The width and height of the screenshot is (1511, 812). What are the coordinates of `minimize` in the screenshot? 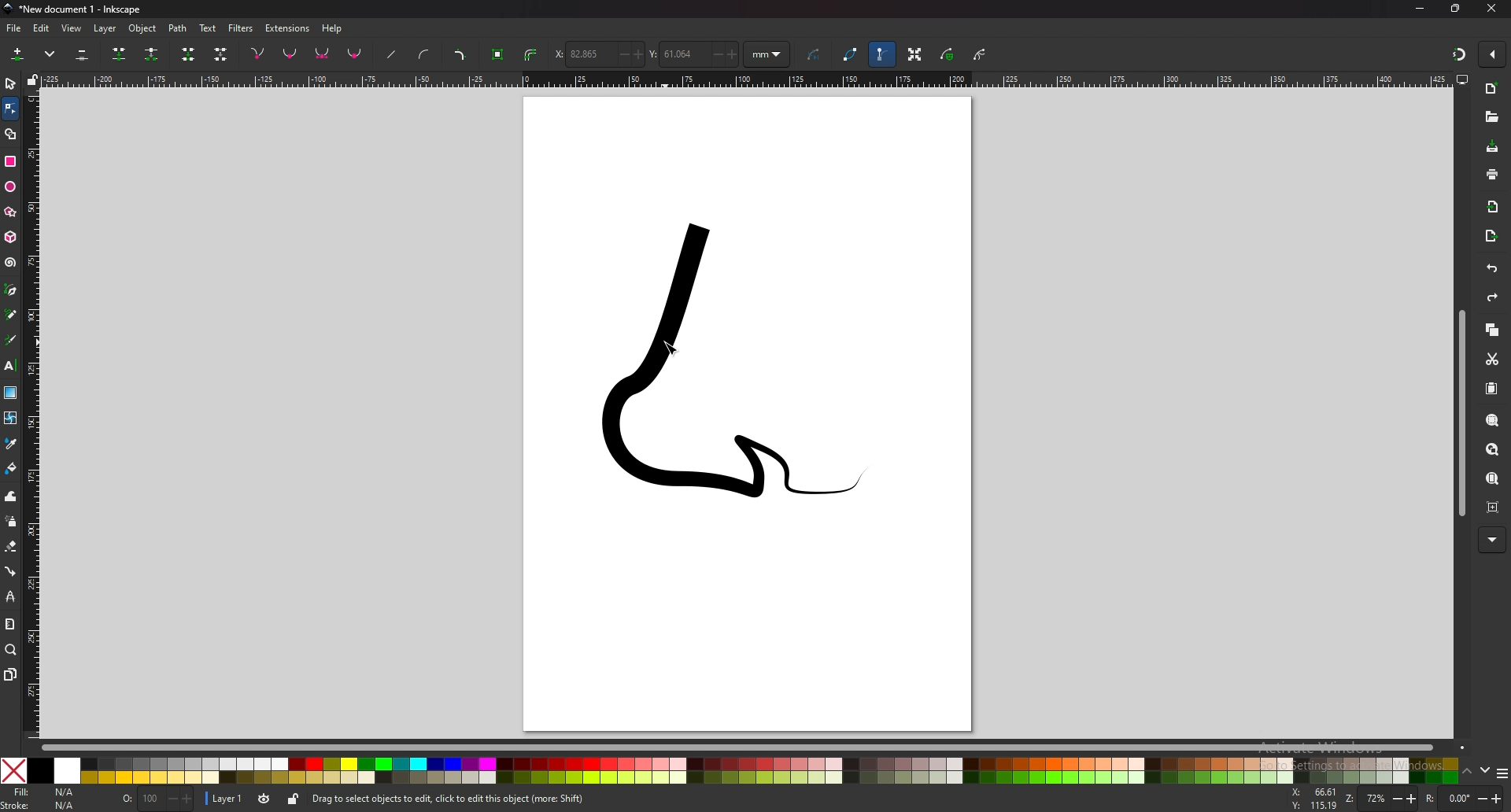 It's located at (1419, 7).